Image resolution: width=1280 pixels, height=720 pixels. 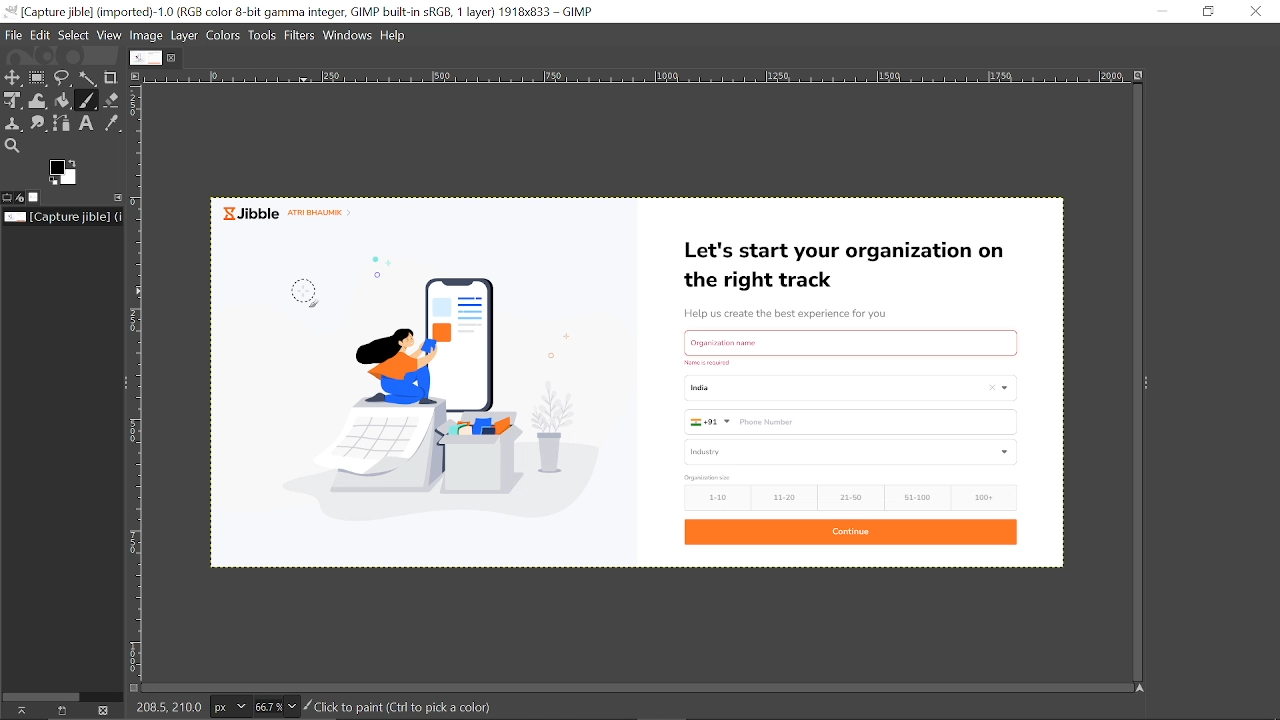 What do you see at coordinates (232, 708) in the screenshot?
I see `Pixel` at bounding box center [232, 708].